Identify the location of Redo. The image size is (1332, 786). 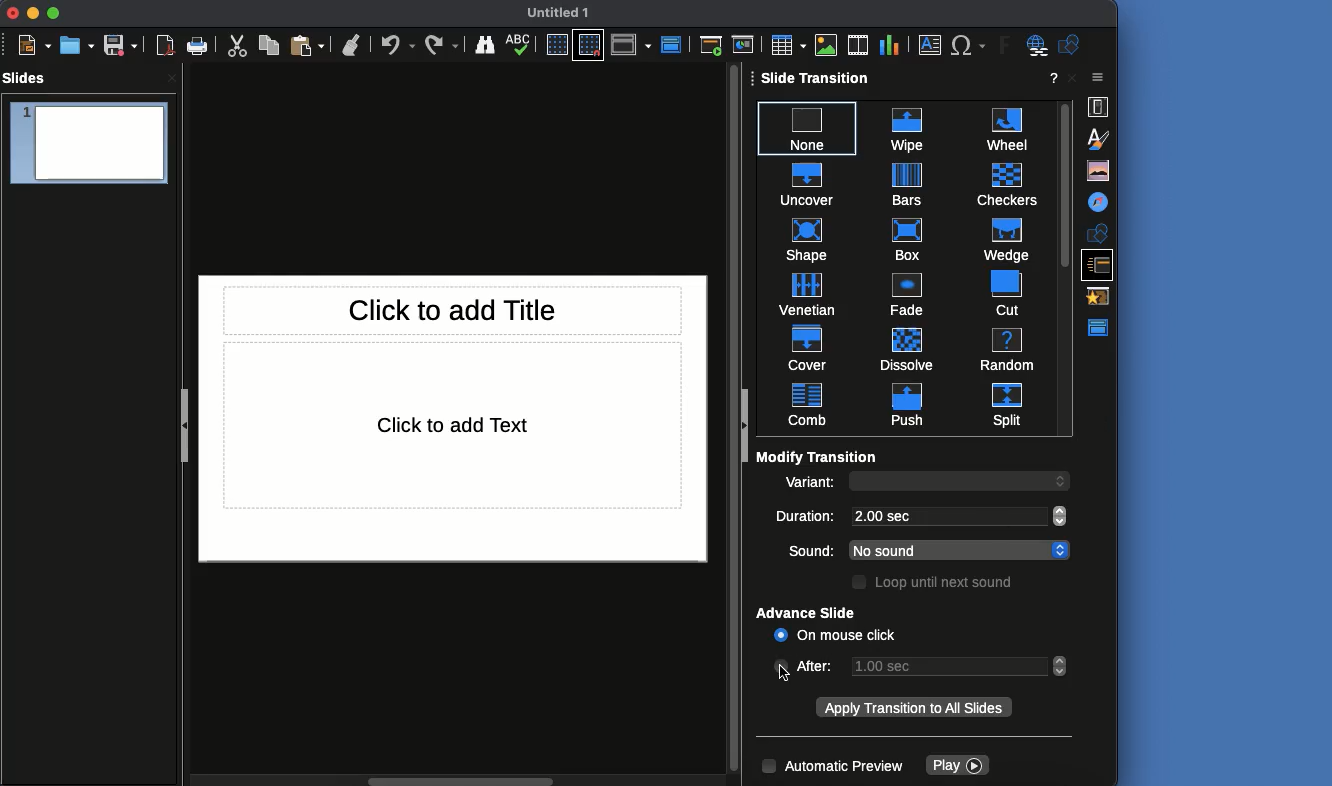
(442, 44).